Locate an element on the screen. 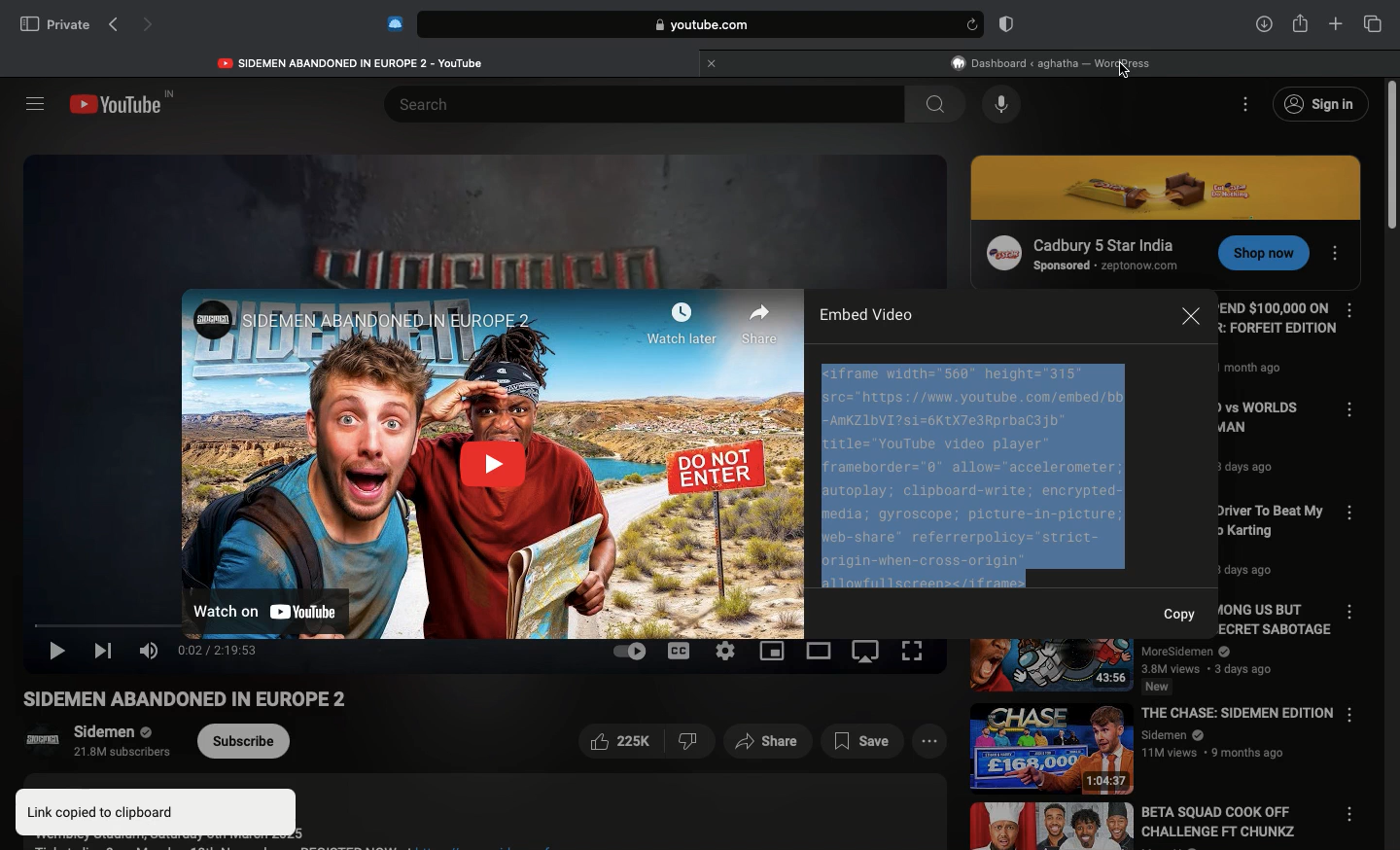  Description is located at coordinates (477, 812).